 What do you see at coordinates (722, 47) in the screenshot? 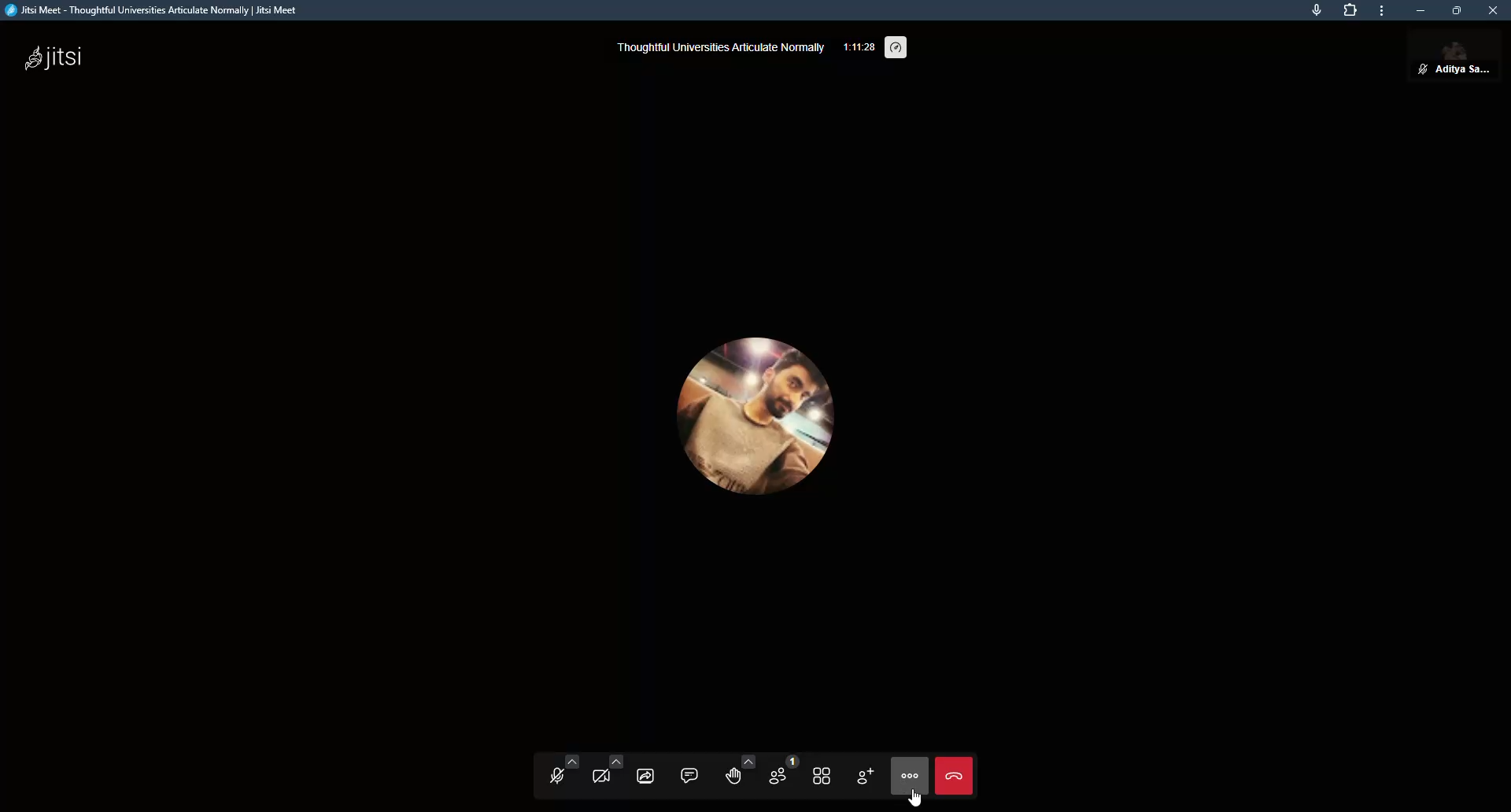
I see `thoughtful universities articulate normally` at bounding box center [722, 47].